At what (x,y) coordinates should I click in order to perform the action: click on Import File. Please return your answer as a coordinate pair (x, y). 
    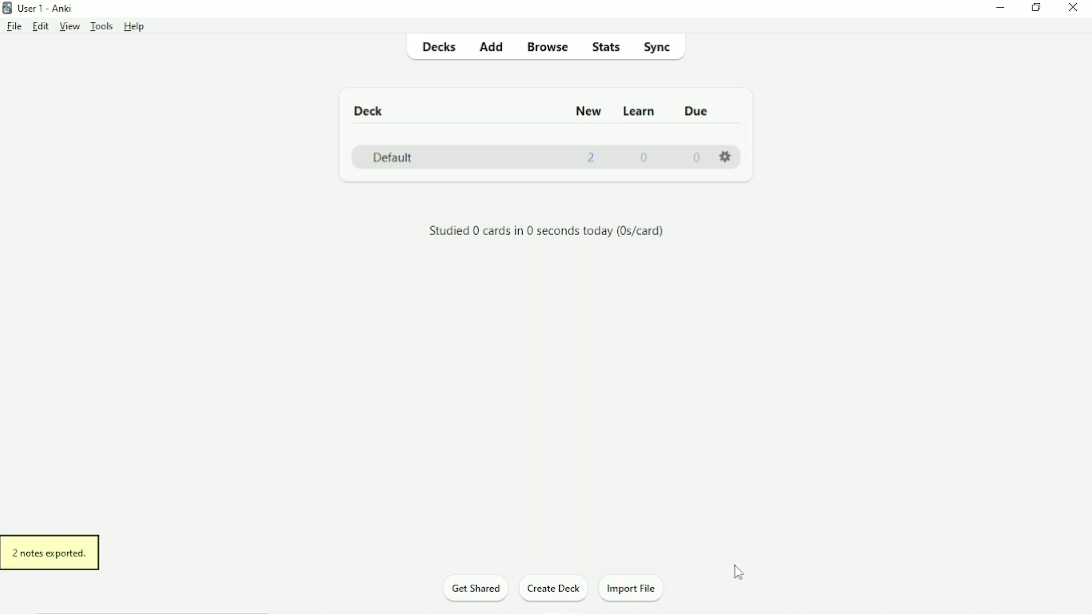
    Looking at the image, I should click on (631, 588).